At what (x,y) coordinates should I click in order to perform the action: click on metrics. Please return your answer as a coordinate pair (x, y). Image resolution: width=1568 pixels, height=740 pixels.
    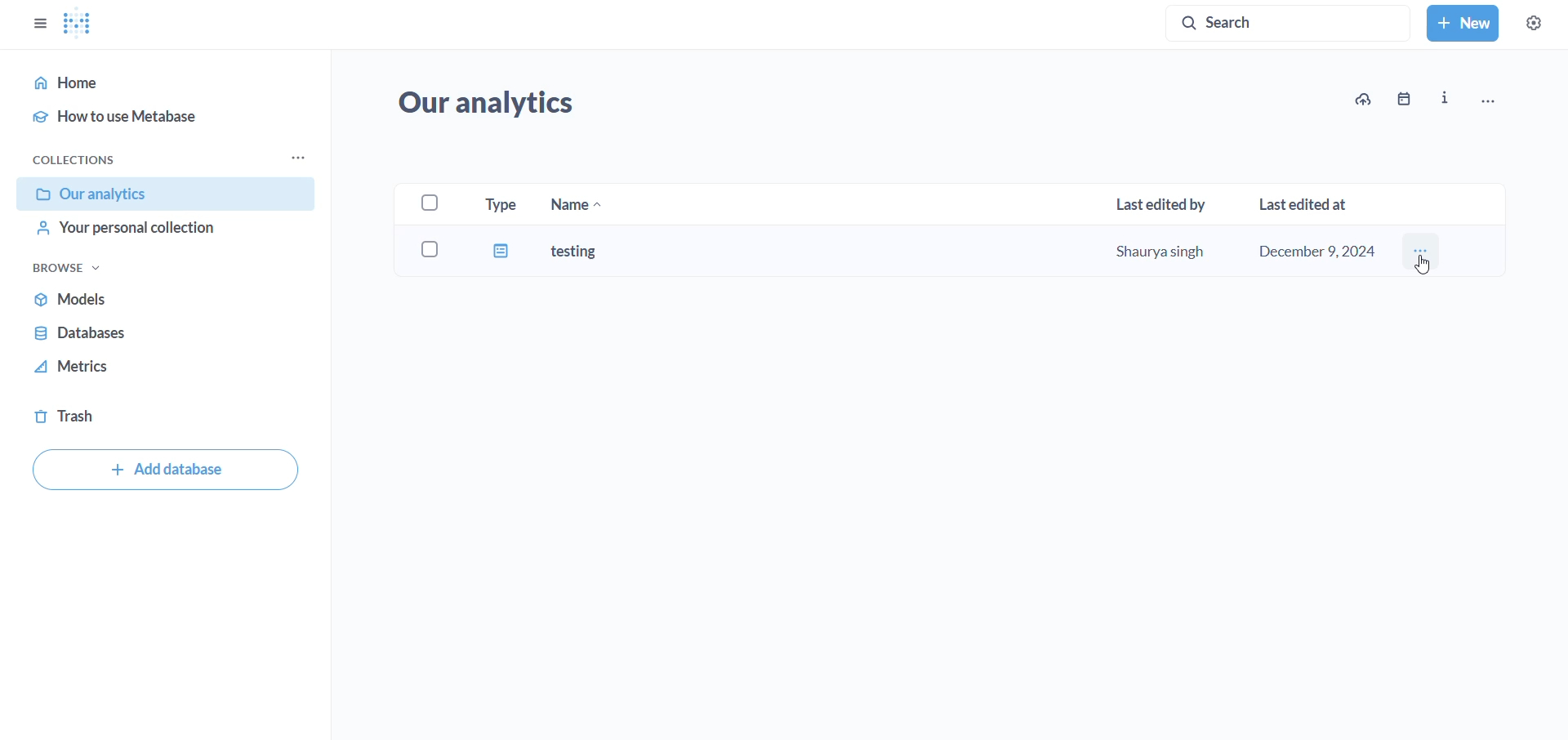
    Looking at the image, I should click on (153, 373).